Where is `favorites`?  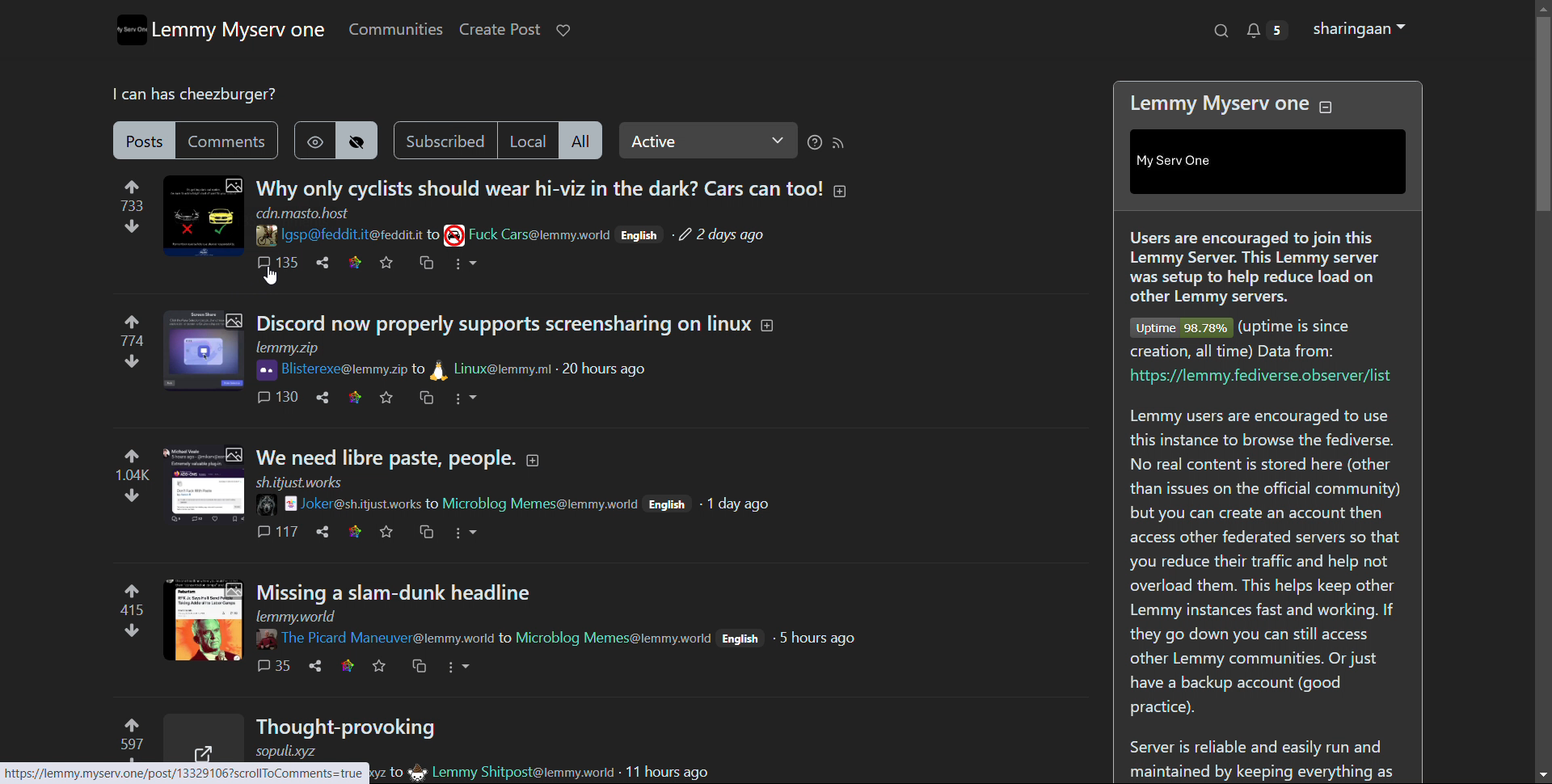 favorites is located at coordinates (379, 666).